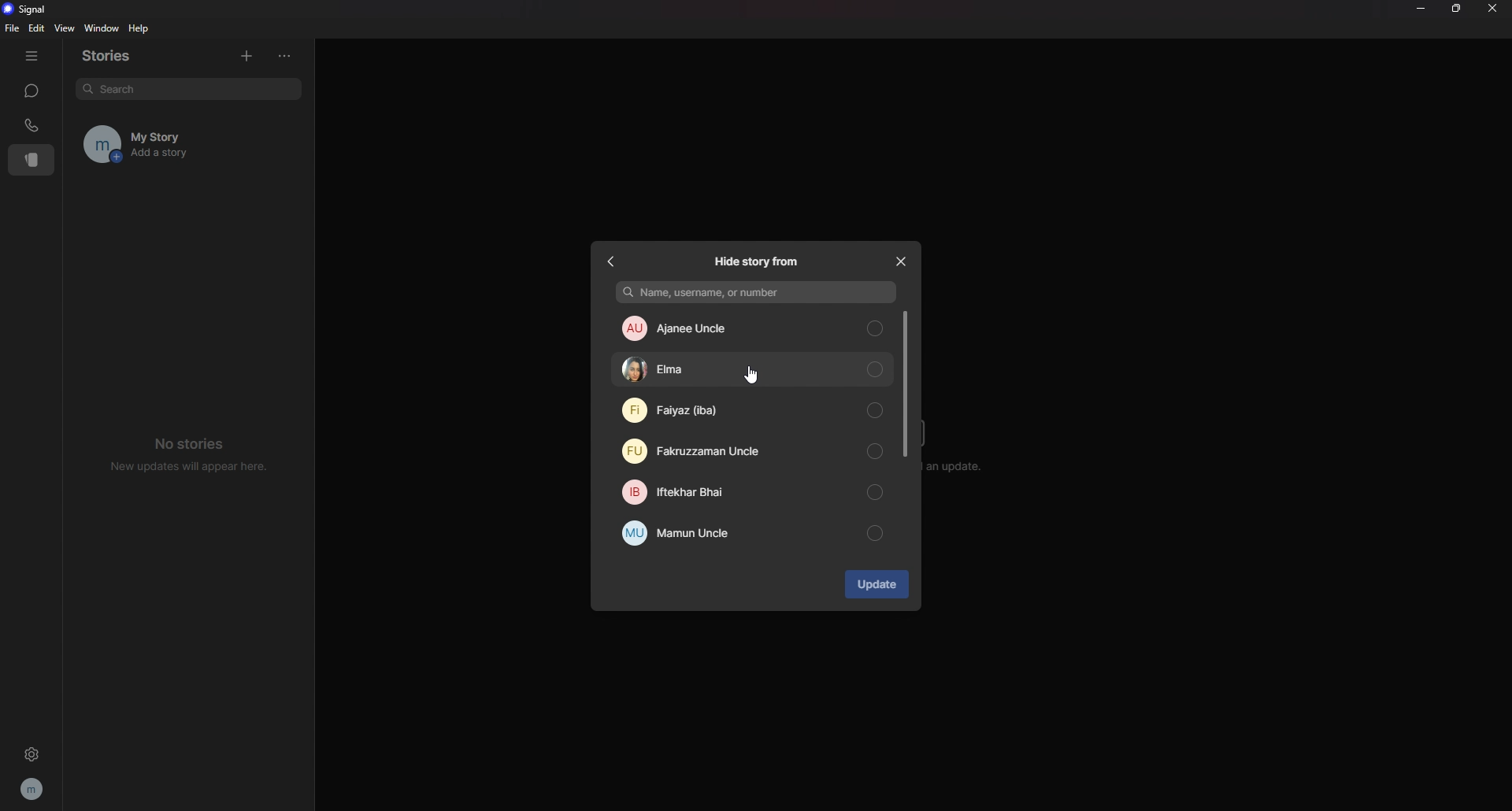 The image size is (1512, 811). I want to click on options, so click(289, 56).